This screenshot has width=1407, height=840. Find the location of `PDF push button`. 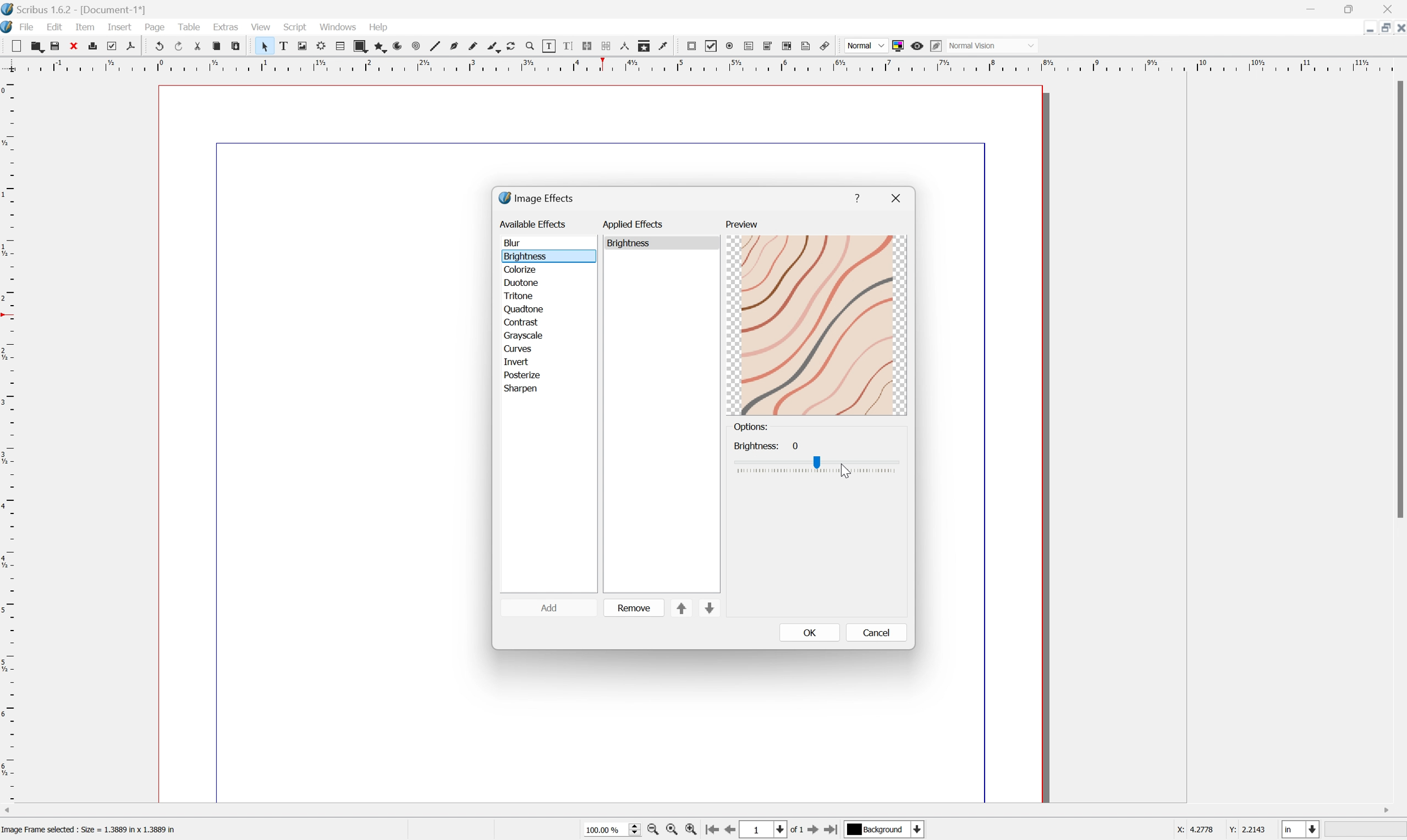

PDF push button is located at coordinates (693, 47).